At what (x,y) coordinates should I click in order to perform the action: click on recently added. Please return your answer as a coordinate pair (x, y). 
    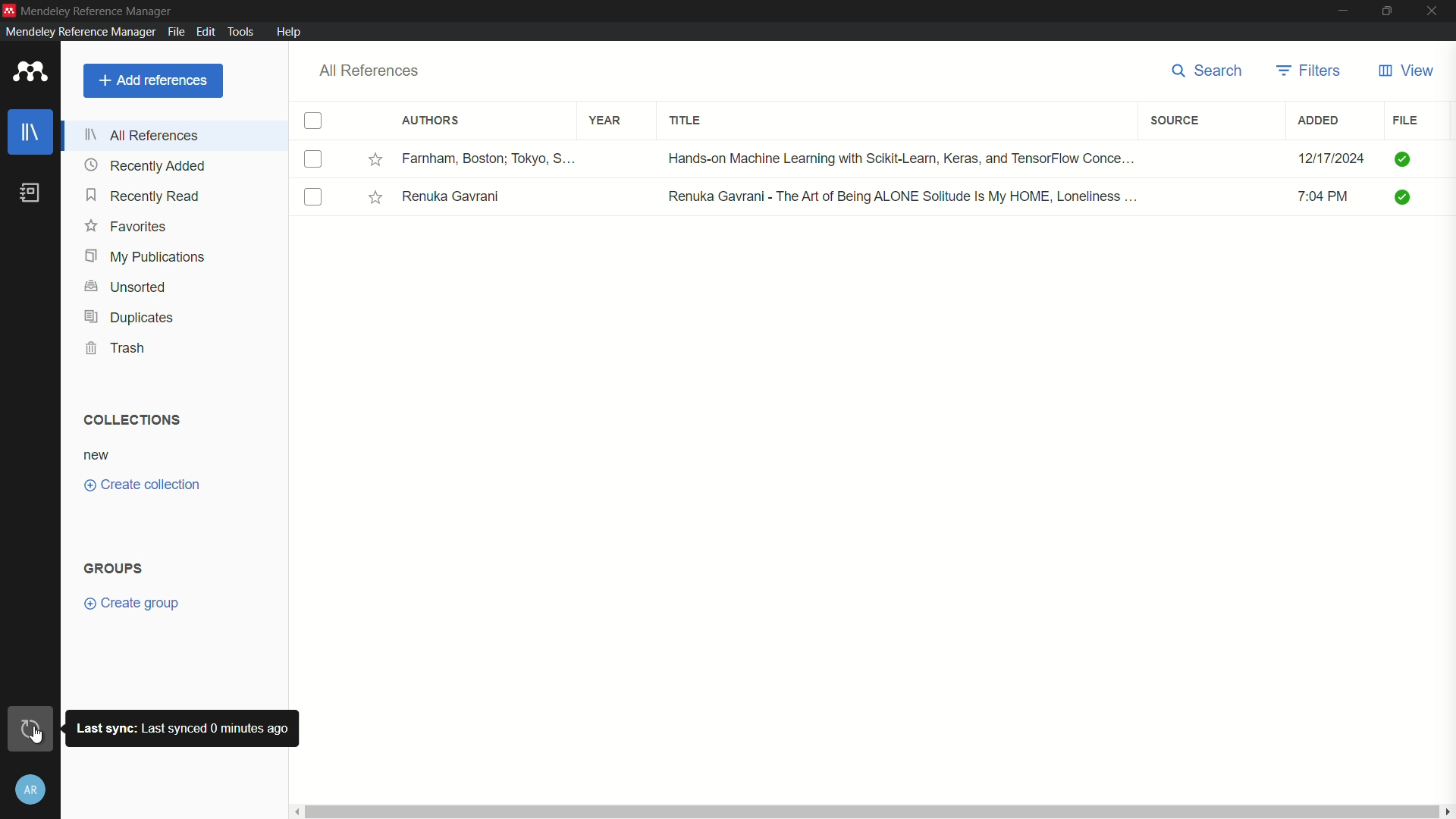
    Looking at the image, I should click on (143, 196).